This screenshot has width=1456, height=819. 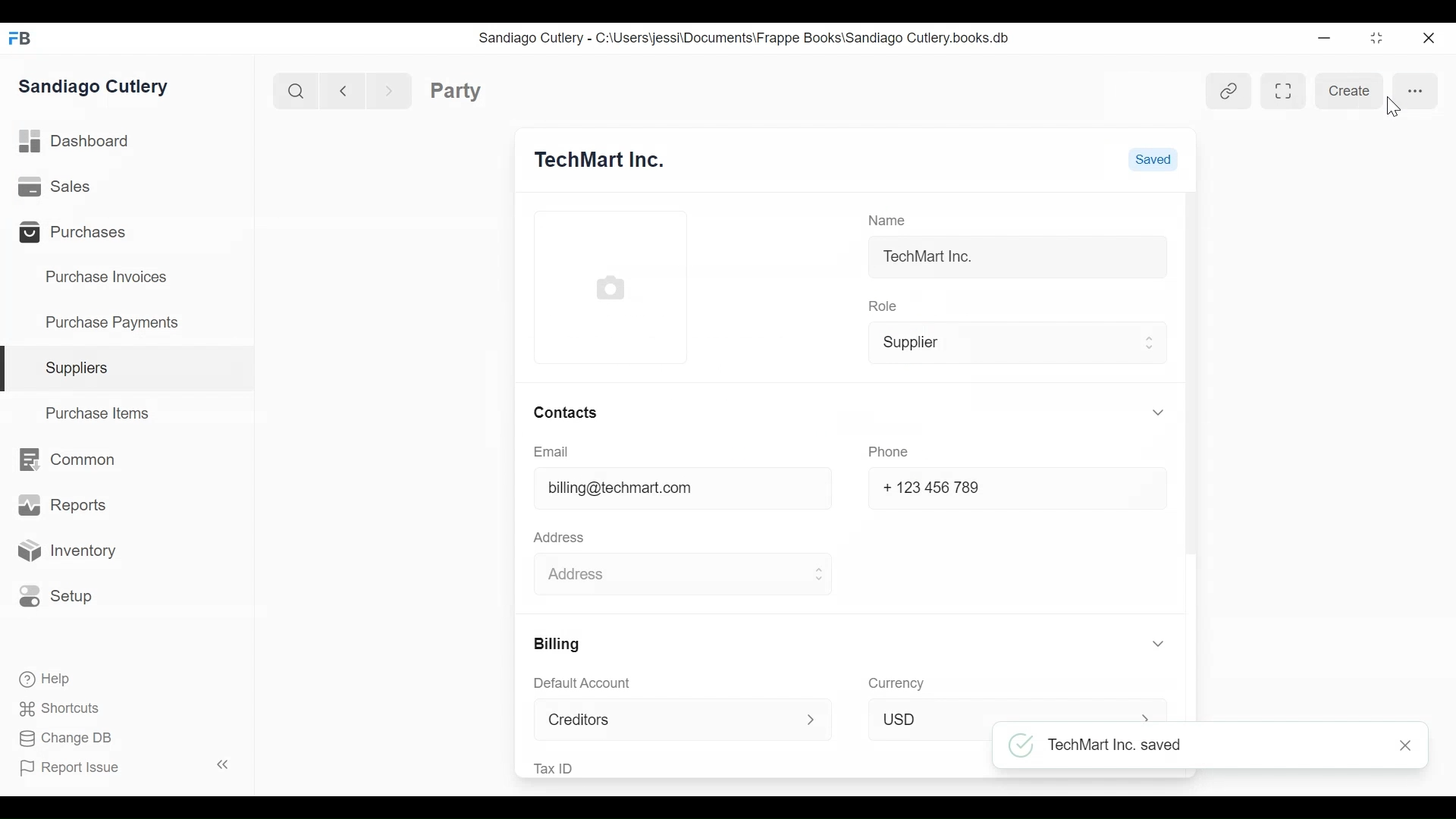 What do you see at coordinates (72, 737) in the screenshot?
I see `Change DB` at bounding box center [72, 737].